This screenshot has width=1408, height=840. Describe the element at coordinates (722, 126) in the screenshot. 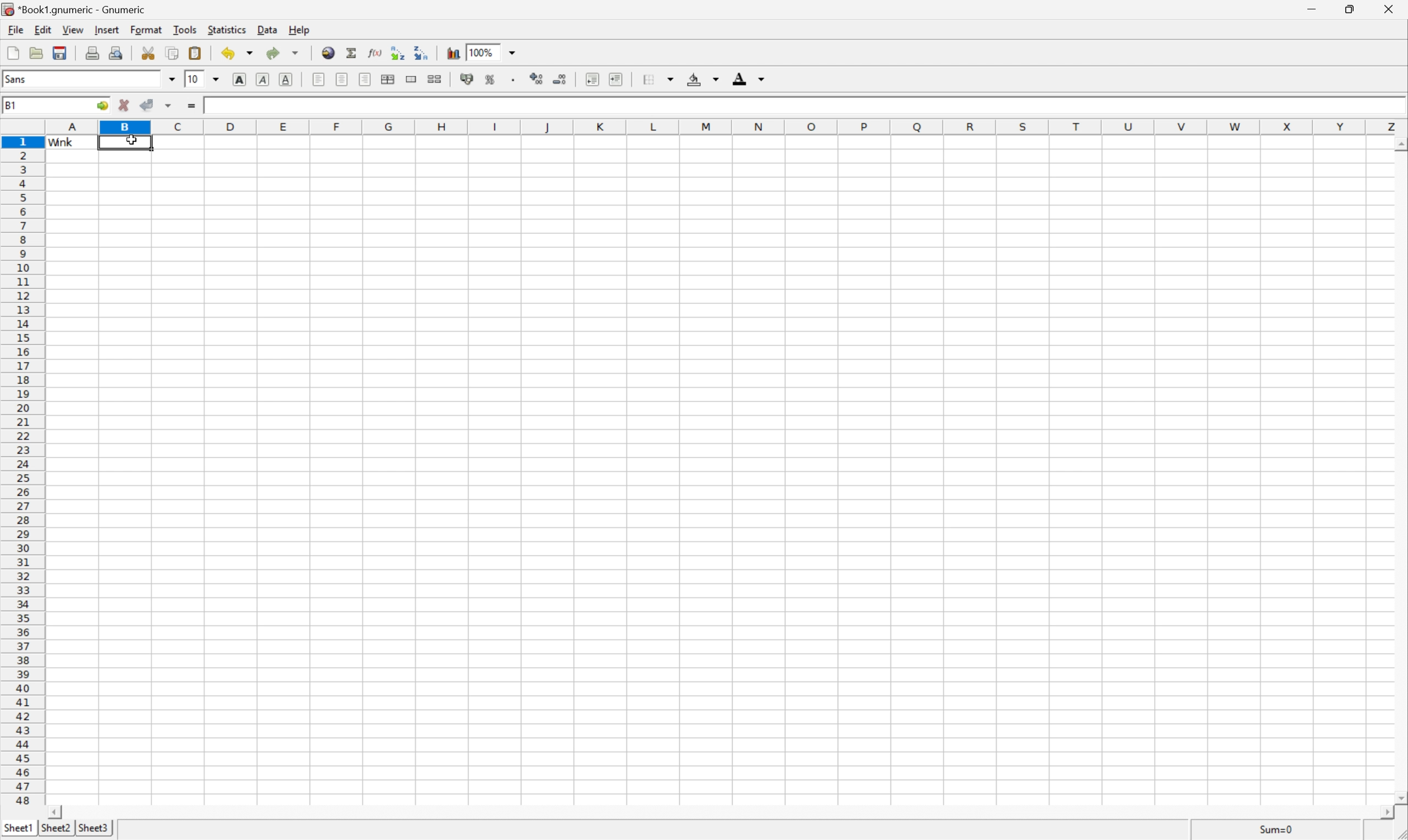

I see `column names` at that location.